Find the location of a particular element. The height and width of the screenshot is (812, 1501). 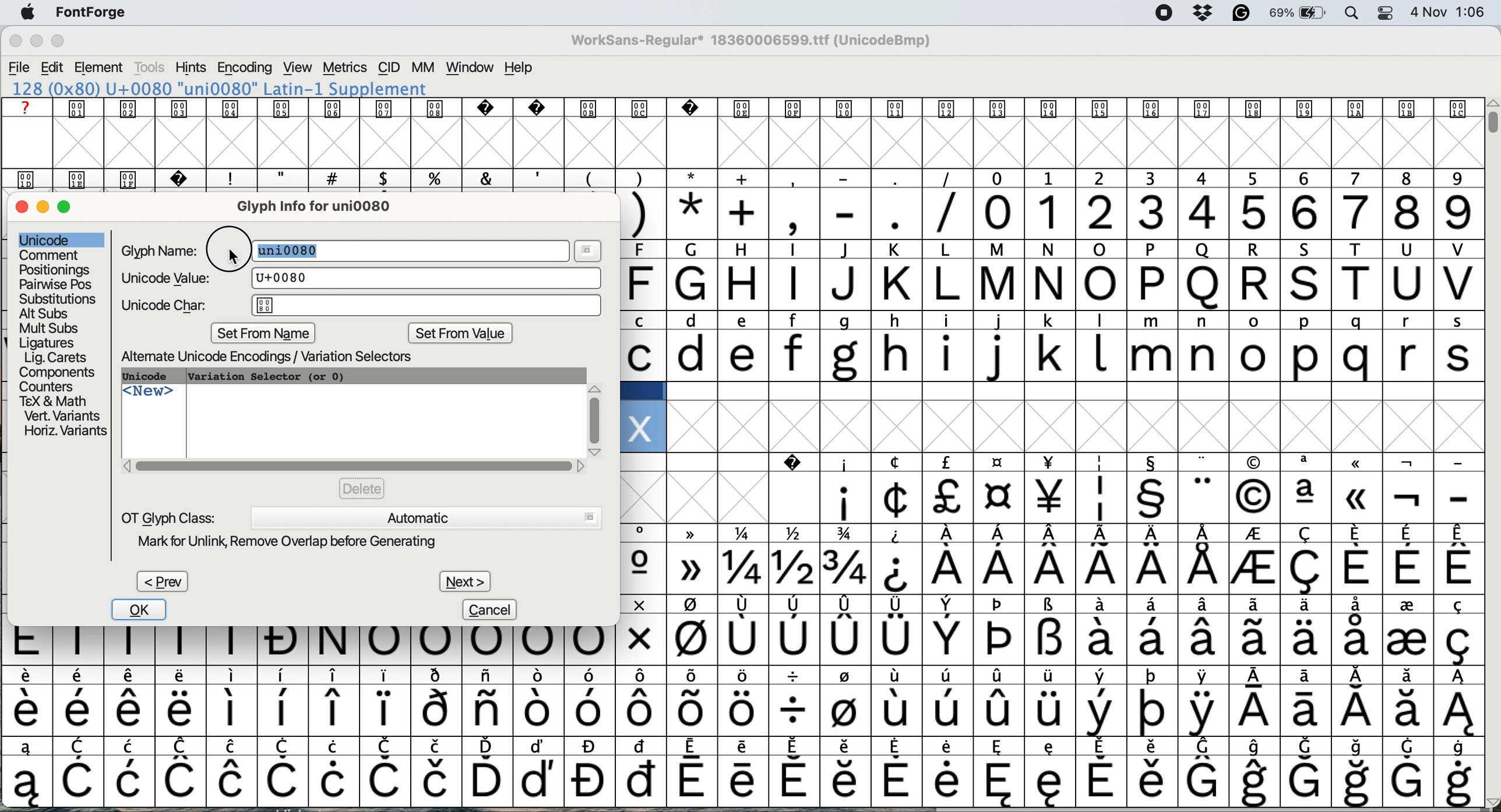

special characters and text is located at coordinates (747, 178).